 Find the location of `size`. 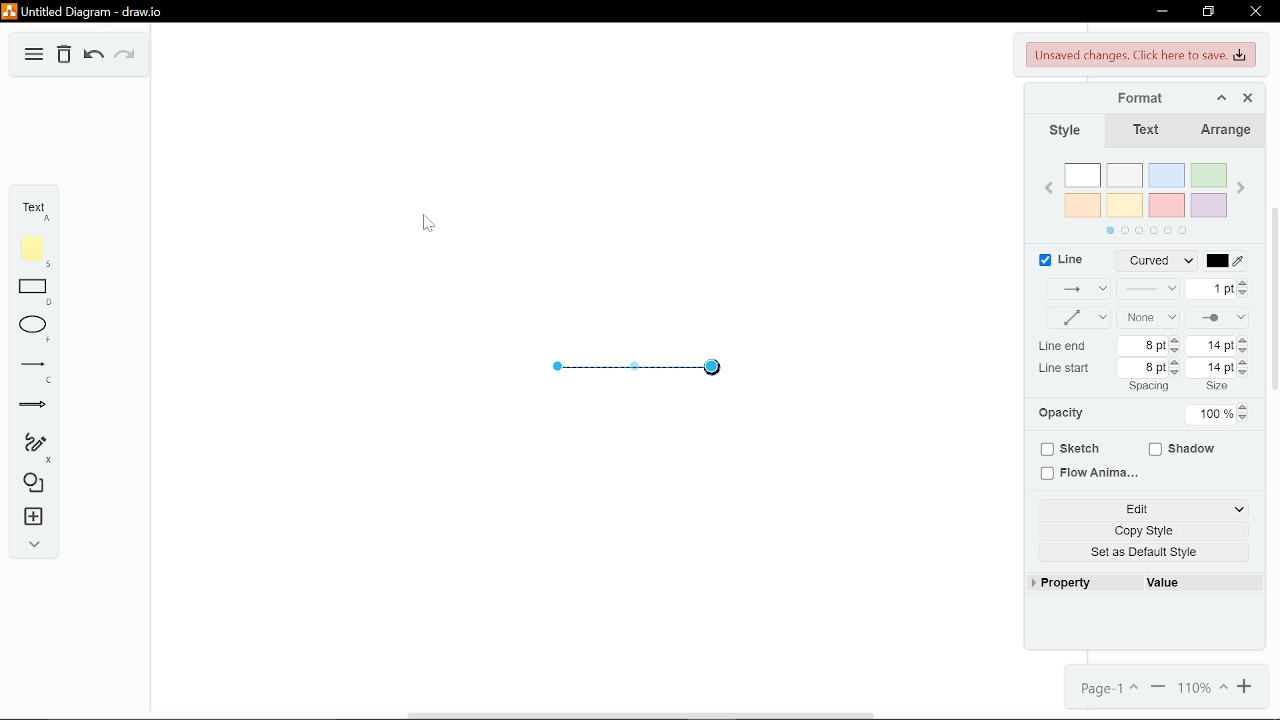

size is located at coordinates (1217, 385).